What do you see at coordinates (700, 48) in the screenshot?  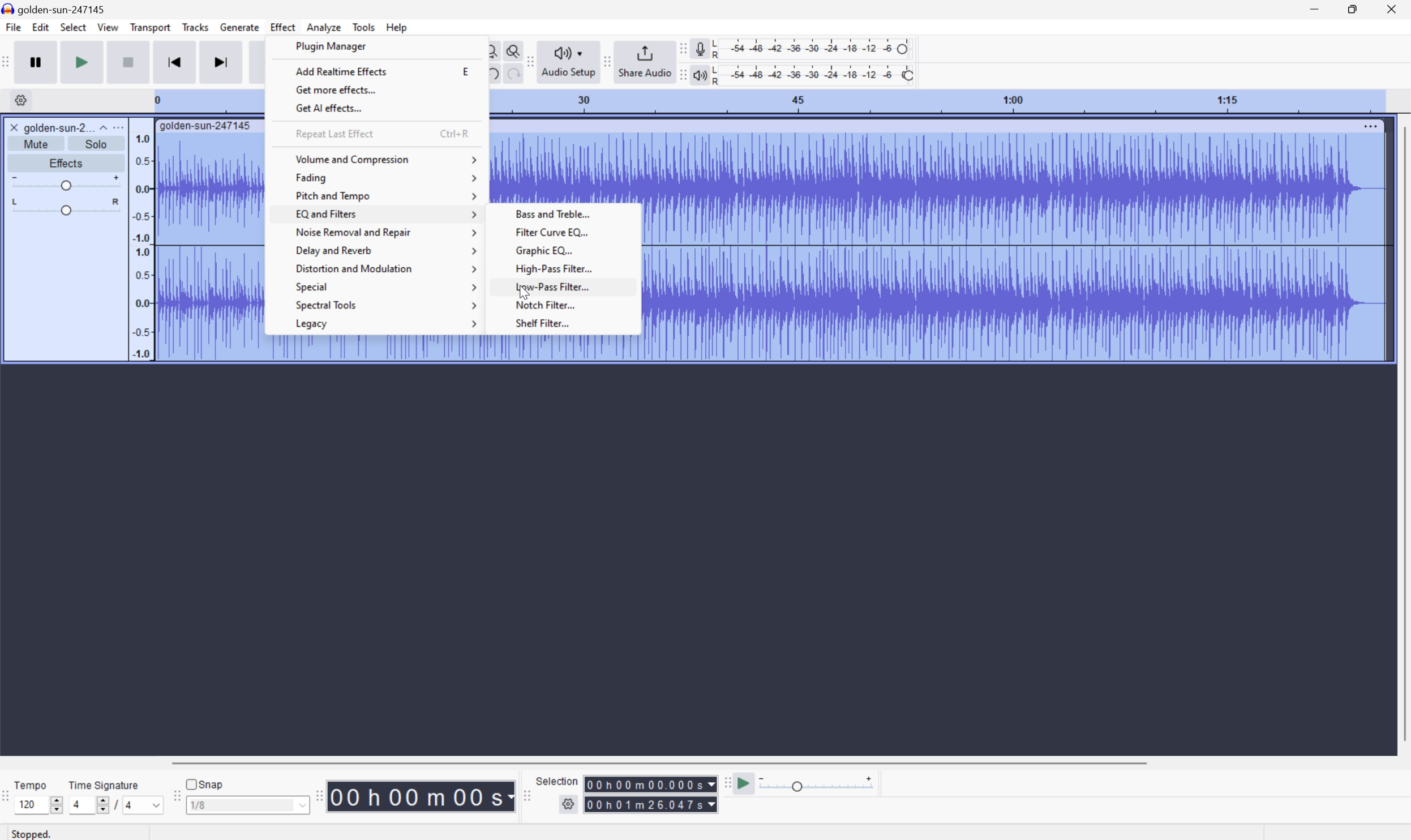 I see `Record meter` at bounding box center [700, 48].